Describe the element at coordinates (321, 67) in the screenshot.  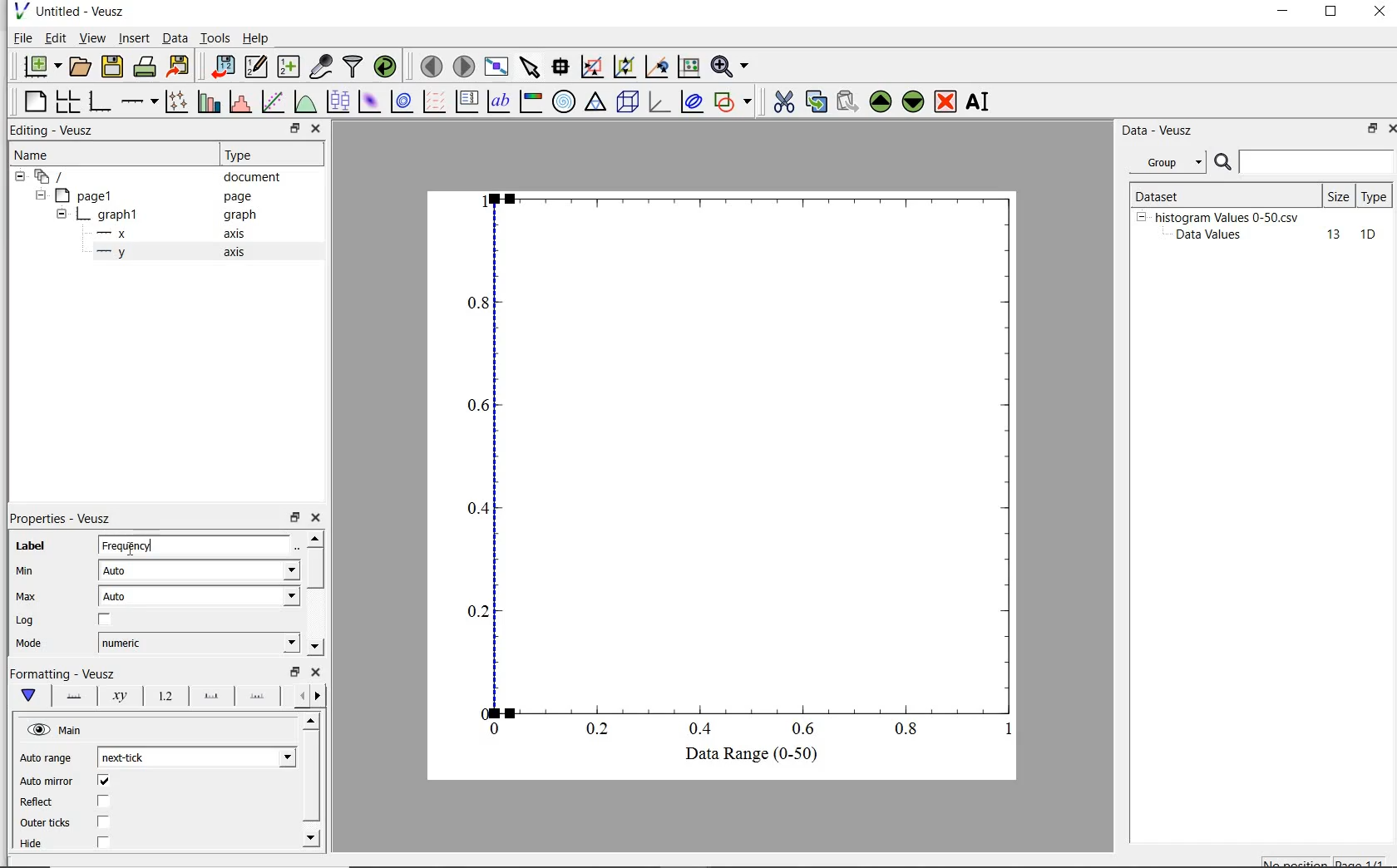
I see `capture remote data` at that location.